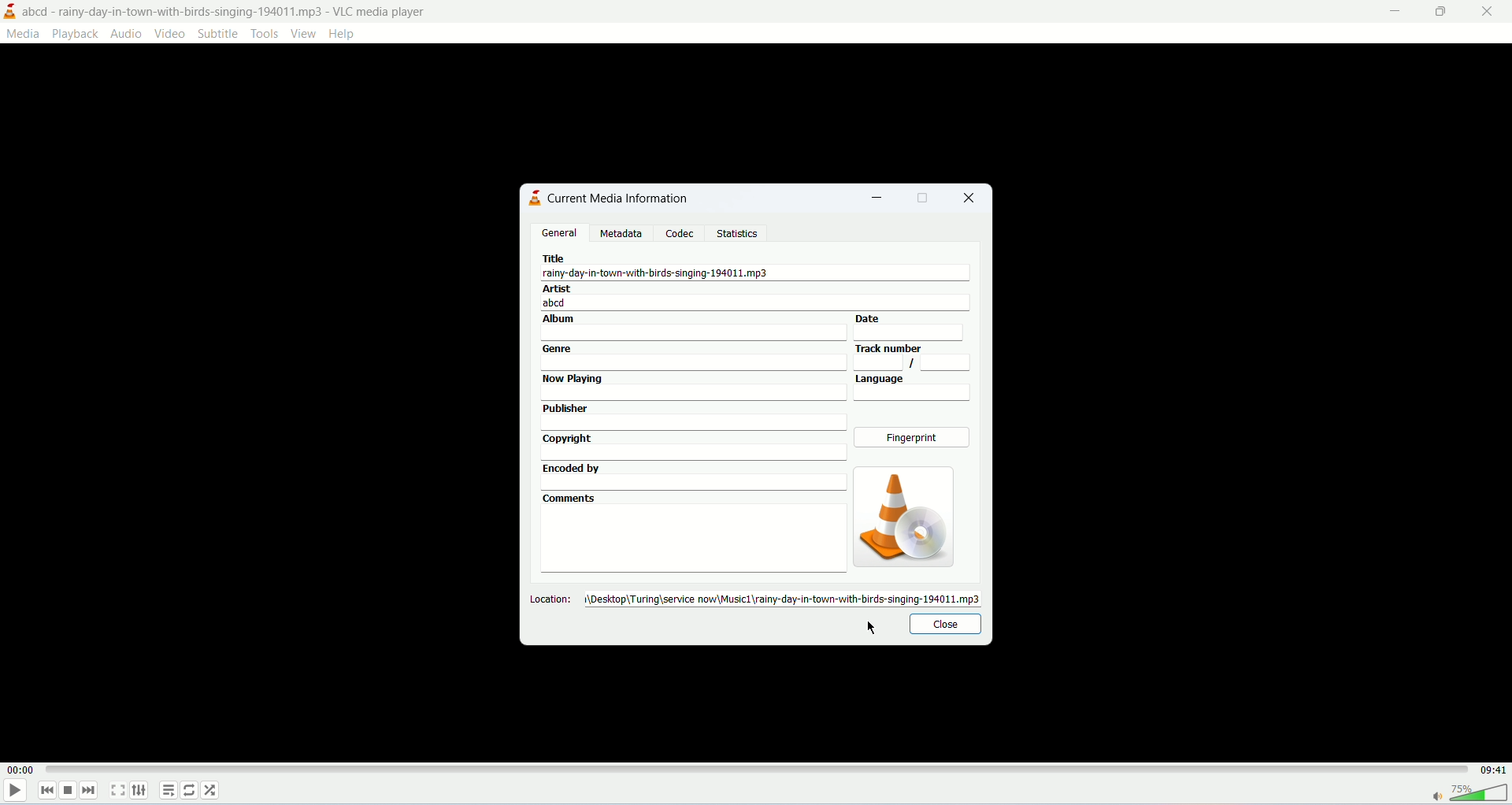 This screenshot has width=1512, height=805. I want to click on location:desktop\turing\servicenow\music1\rainy-day-in-town, so click(757, 598).